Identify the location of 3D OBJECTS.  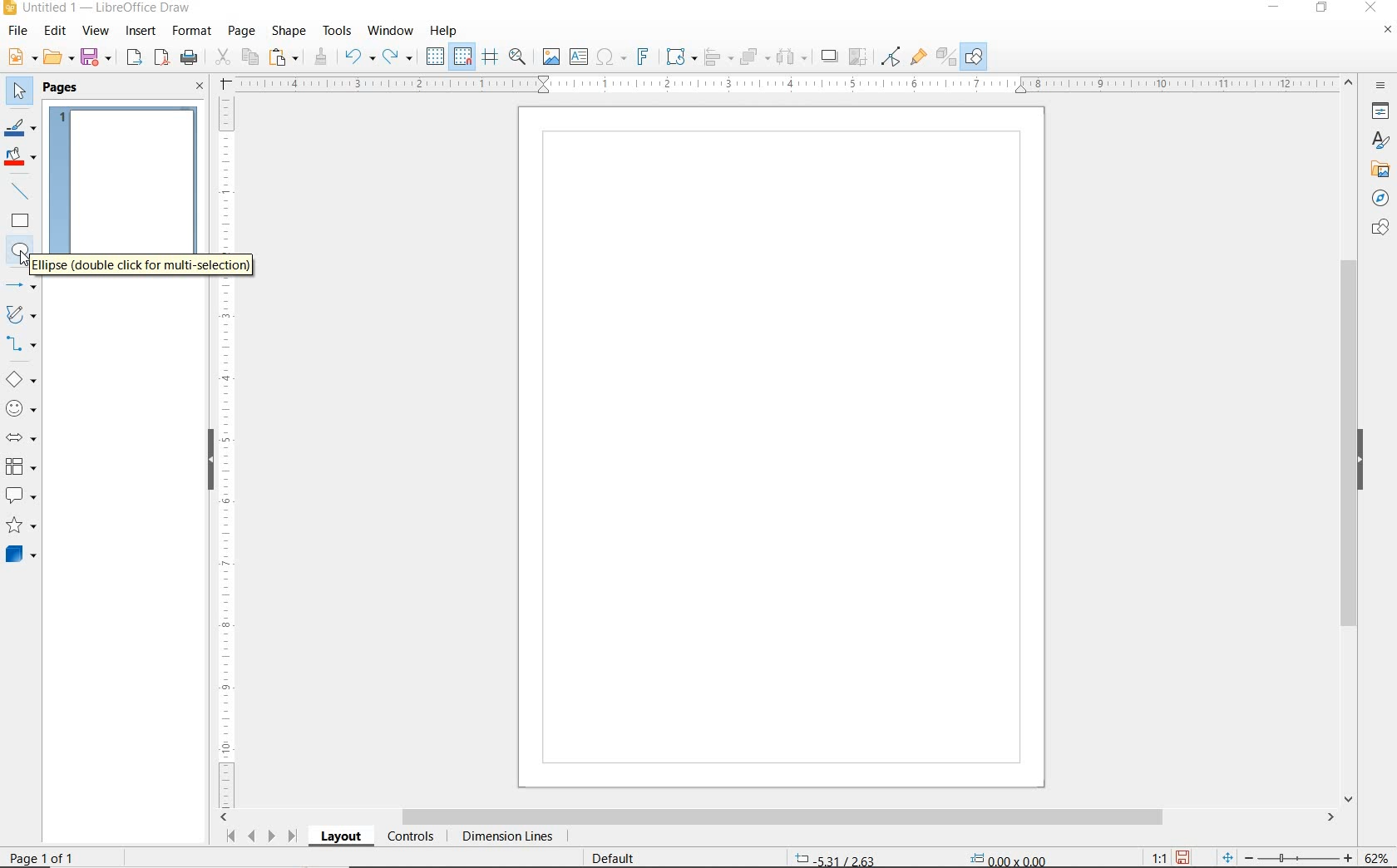
(19, 556).